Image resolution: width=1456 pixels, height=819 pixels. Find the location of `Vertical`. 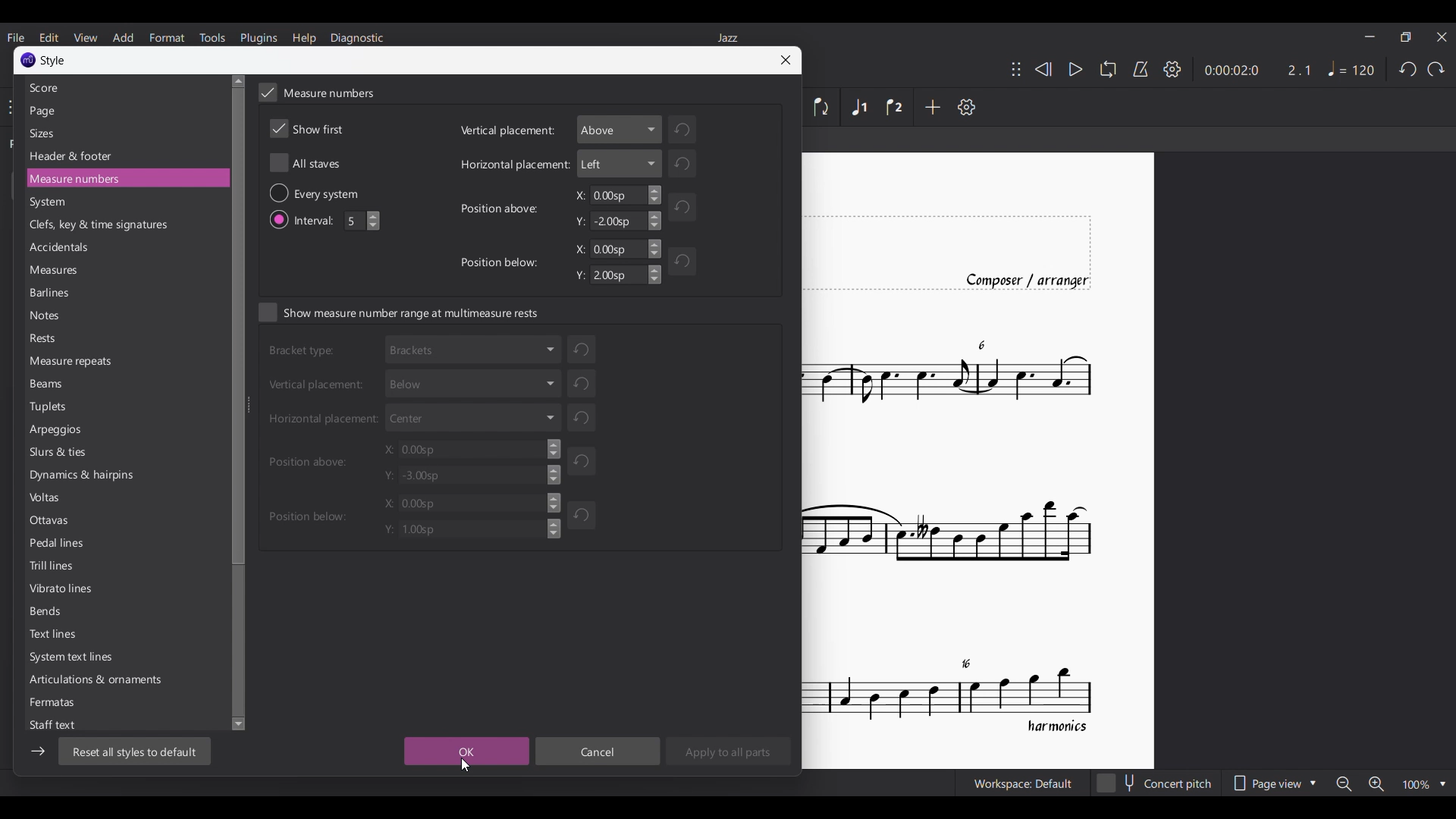

Vertical is located at coordinates (320, 385).